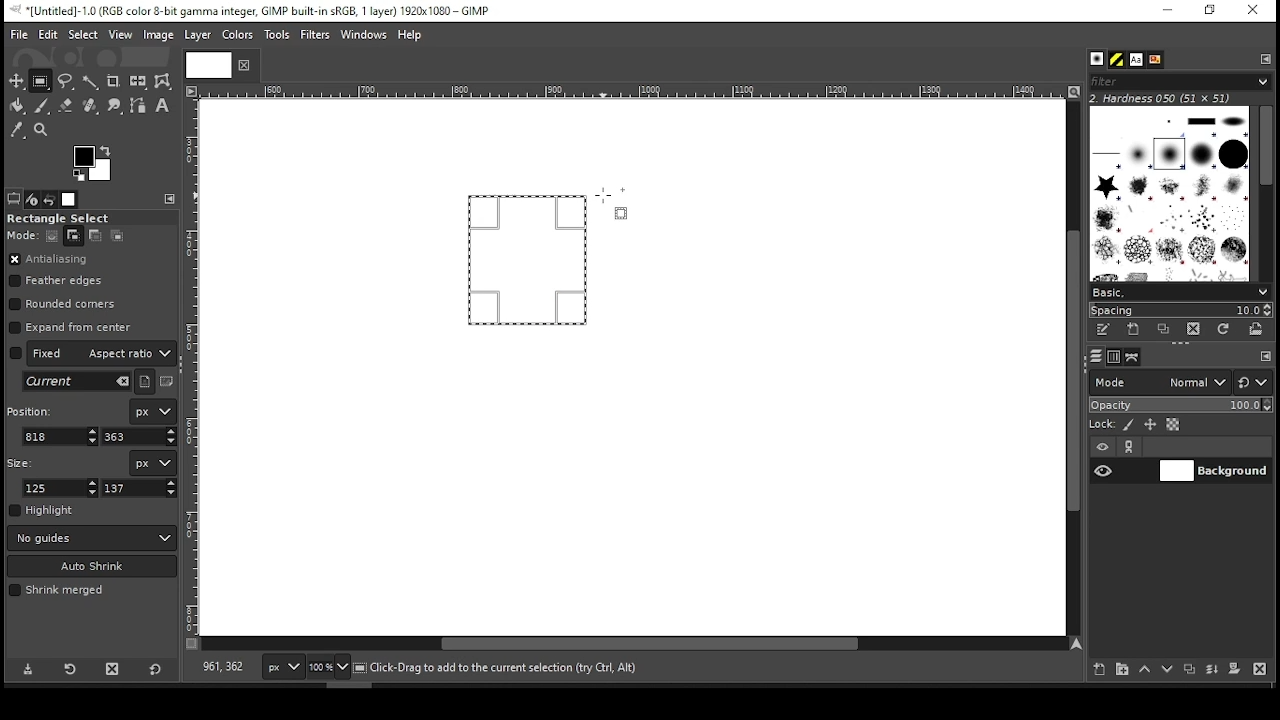 This screenshot has width=1280, height=720. I want to click on smudge tool, so click(116, 106).